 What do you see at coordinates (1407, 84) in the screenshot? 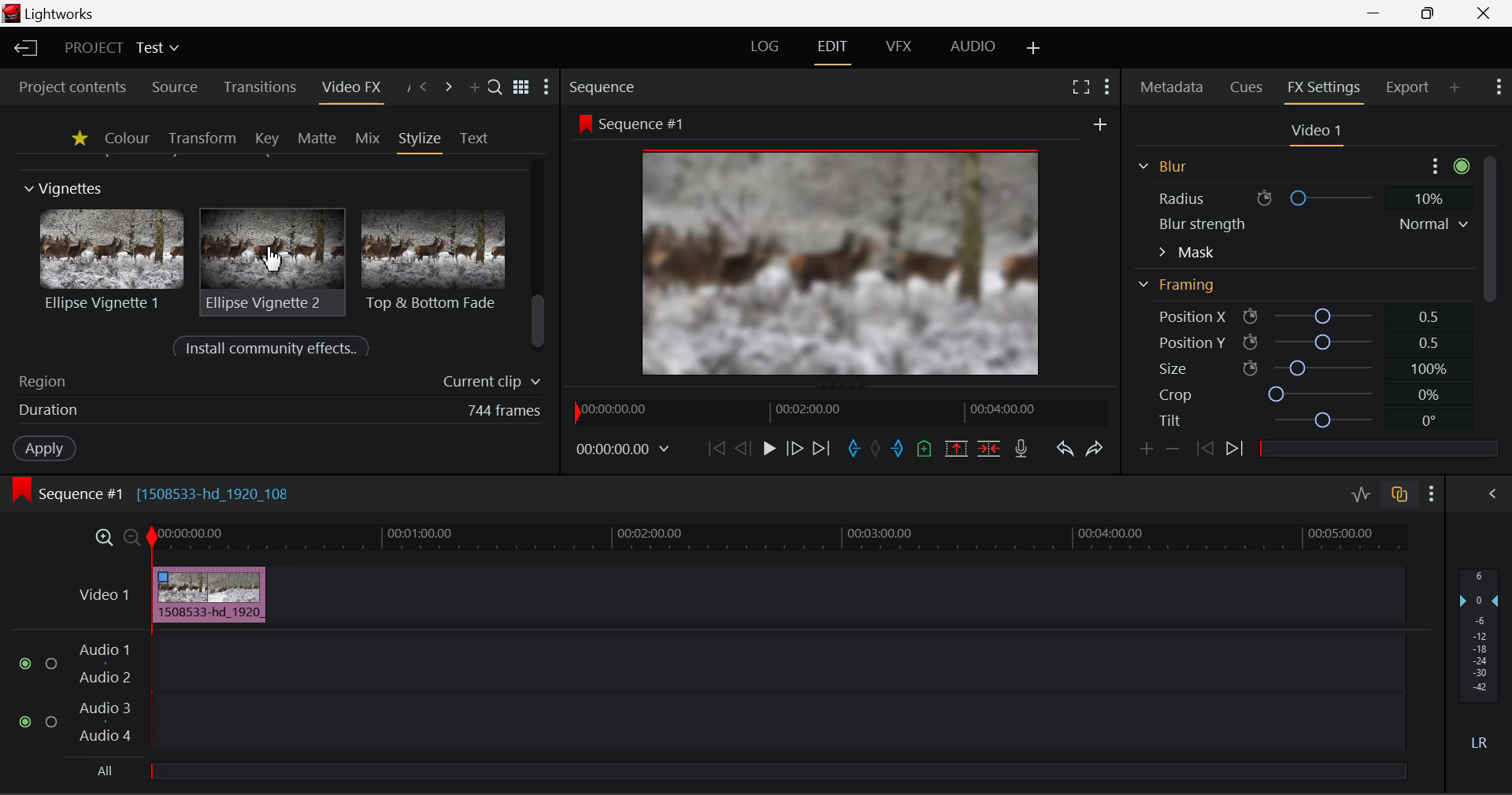
I see `Export` at bounding box center [1407, 84].